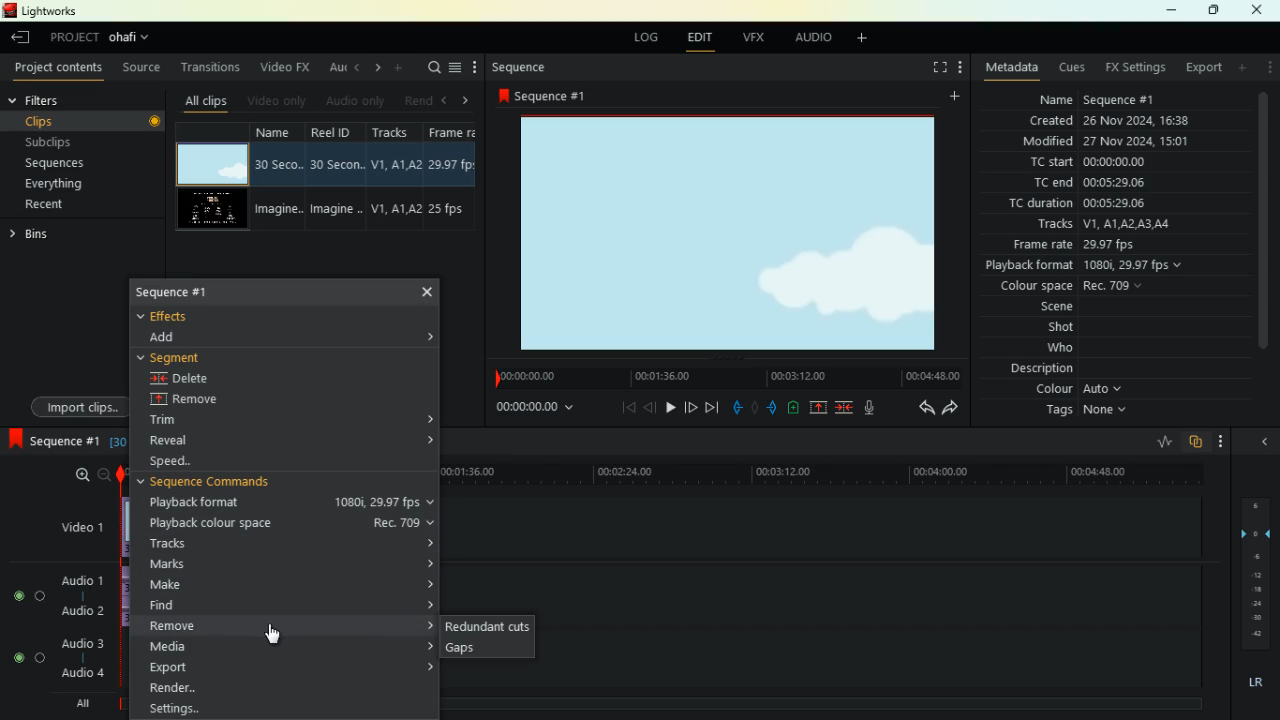 This screenshot has height=720, width=1280. What do you see at coordinates (82, 120) in the screenshot?
I see `clips` at bounding box center [82, 120].